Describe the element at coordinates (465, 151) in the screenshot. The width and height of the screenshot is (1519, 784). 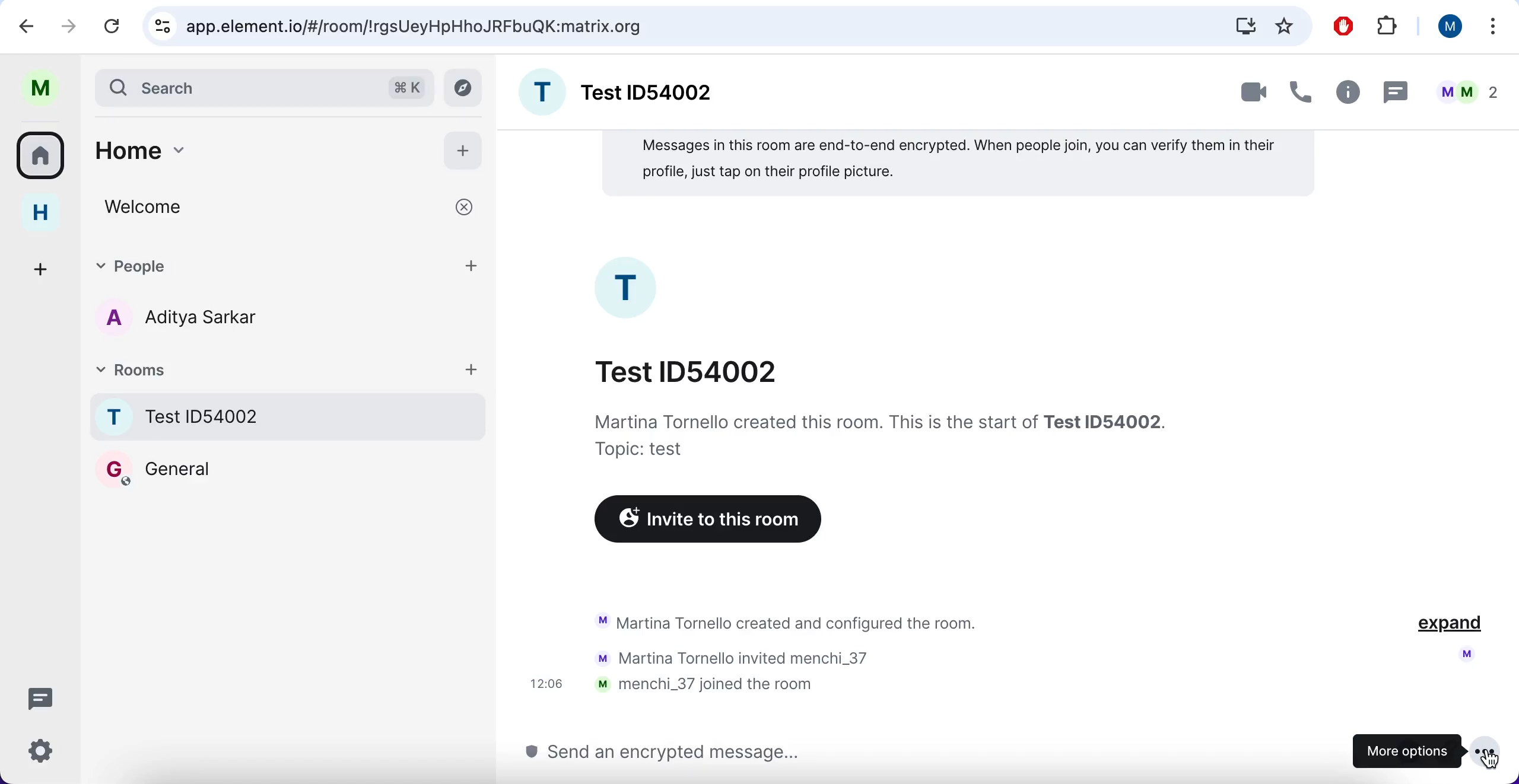
I see `add` at that location.